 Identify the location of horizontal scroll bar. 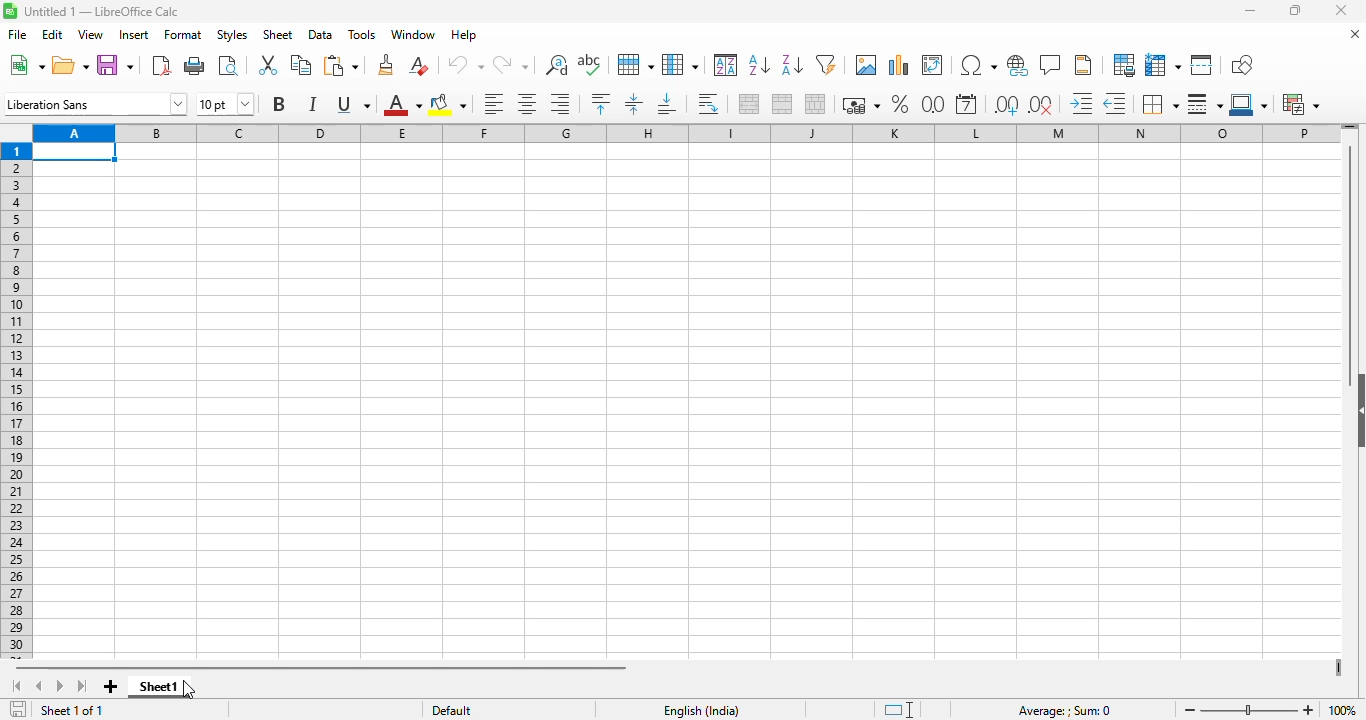
(324, 669).